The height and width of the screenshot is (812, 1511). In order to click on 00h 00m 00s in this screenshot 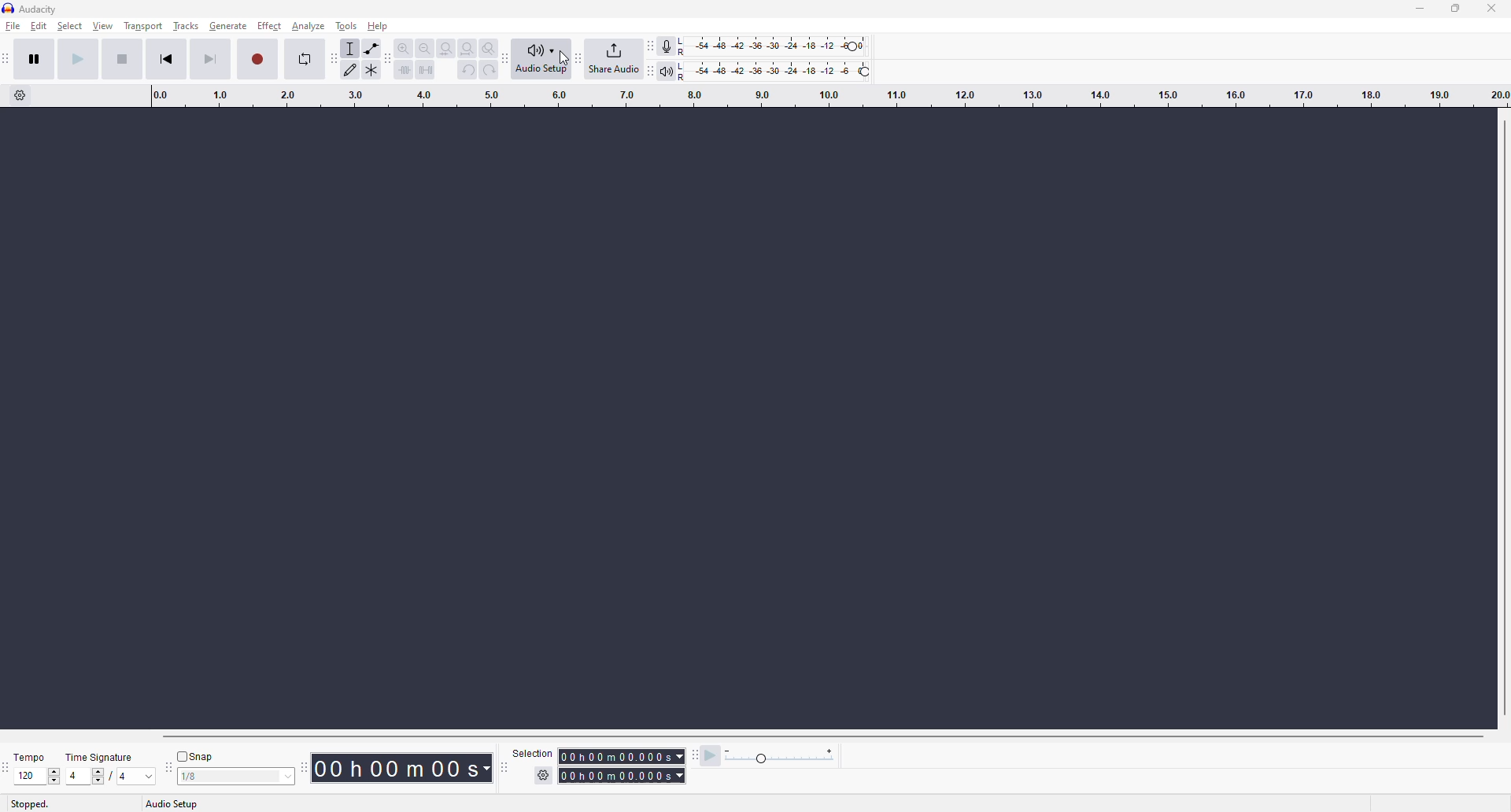, I will do `click(408, 770)`.